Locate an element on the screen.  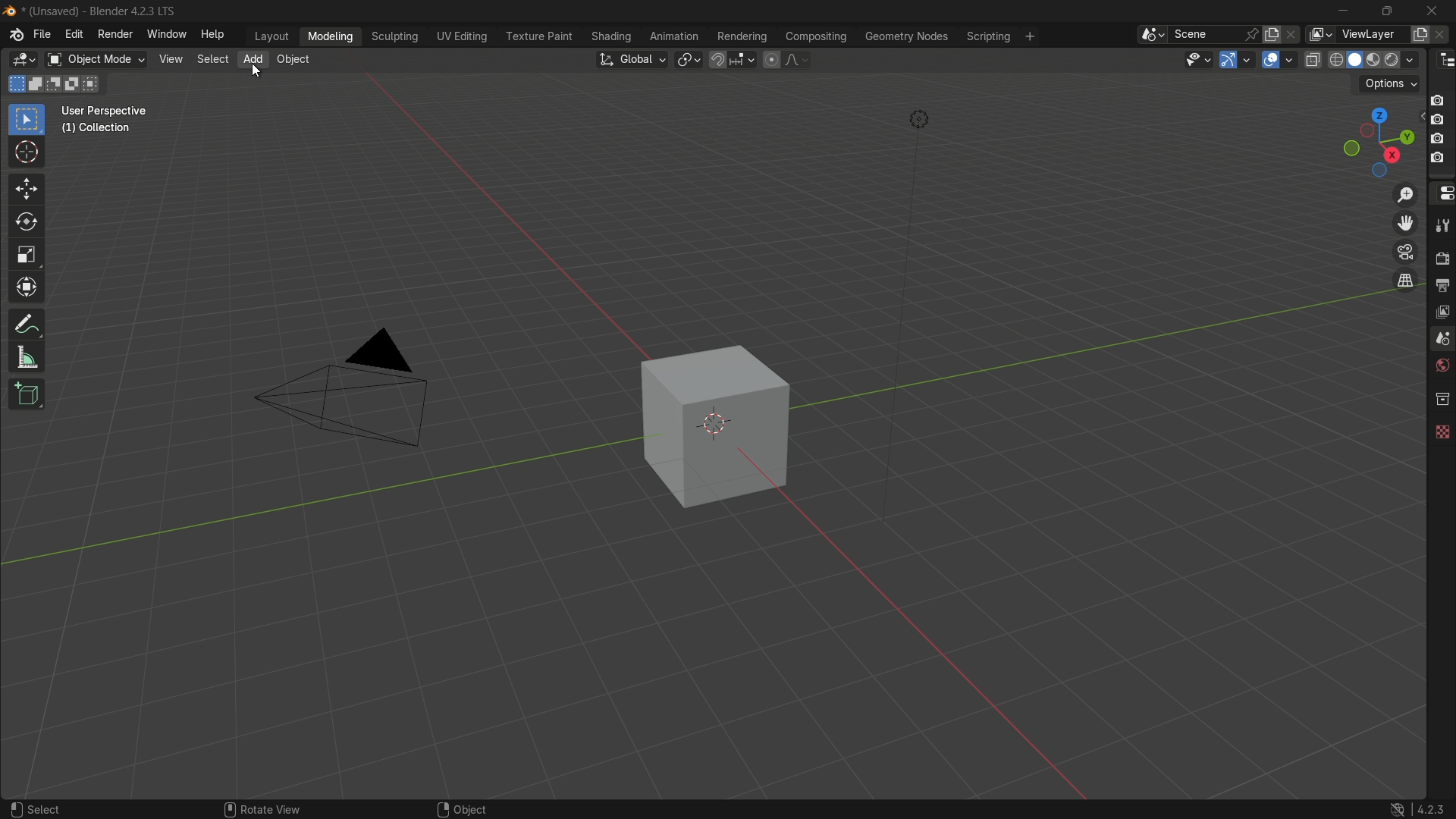
subtract existing selection is located at coordinates (55, 83).